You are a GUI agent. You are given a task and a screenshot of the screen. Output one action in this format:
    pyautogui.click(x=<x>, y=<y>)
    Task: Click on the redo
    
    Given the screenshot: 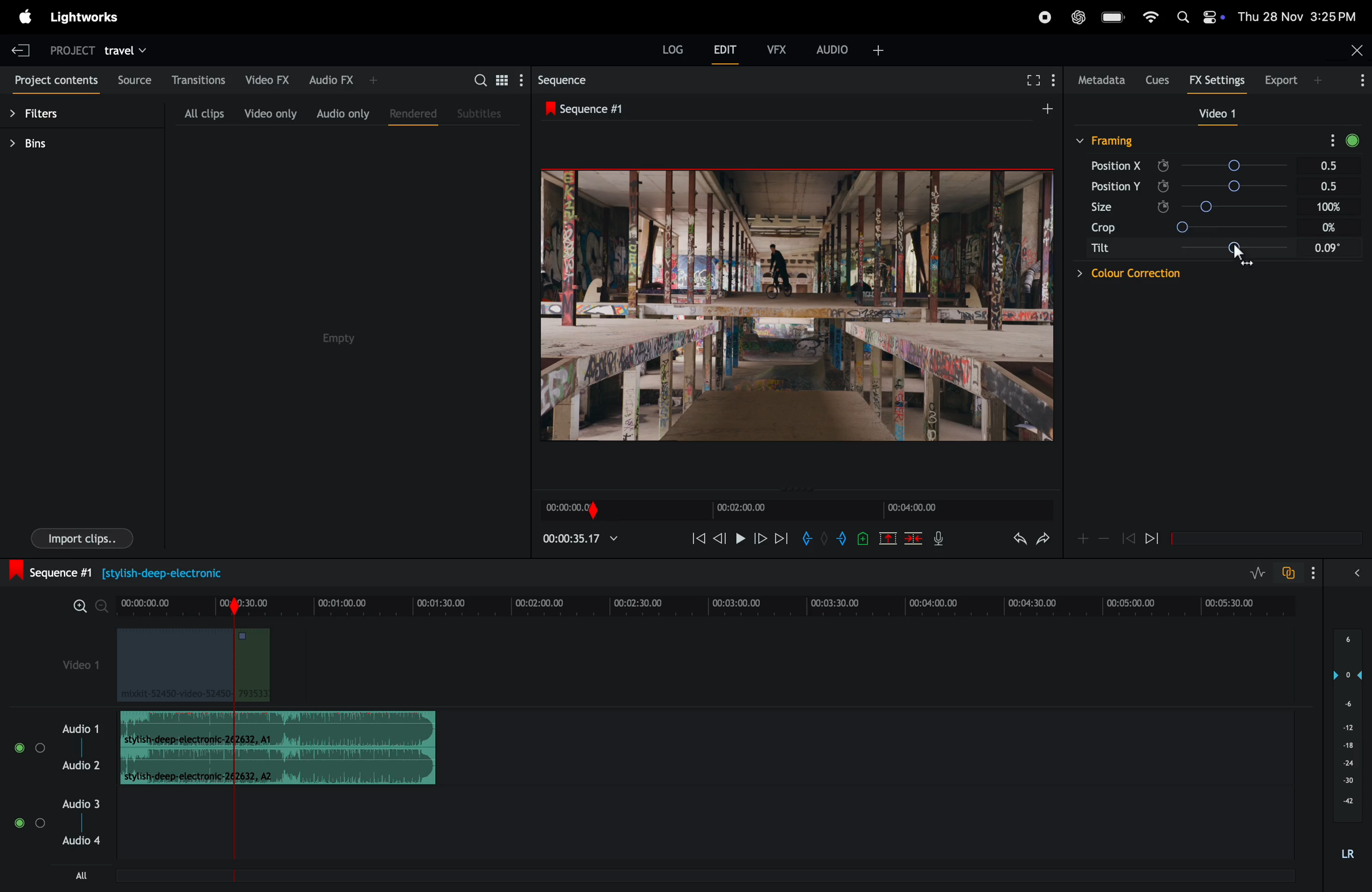 What is the action you would take?
    pyautogui.click(x=1046, y=539)
    